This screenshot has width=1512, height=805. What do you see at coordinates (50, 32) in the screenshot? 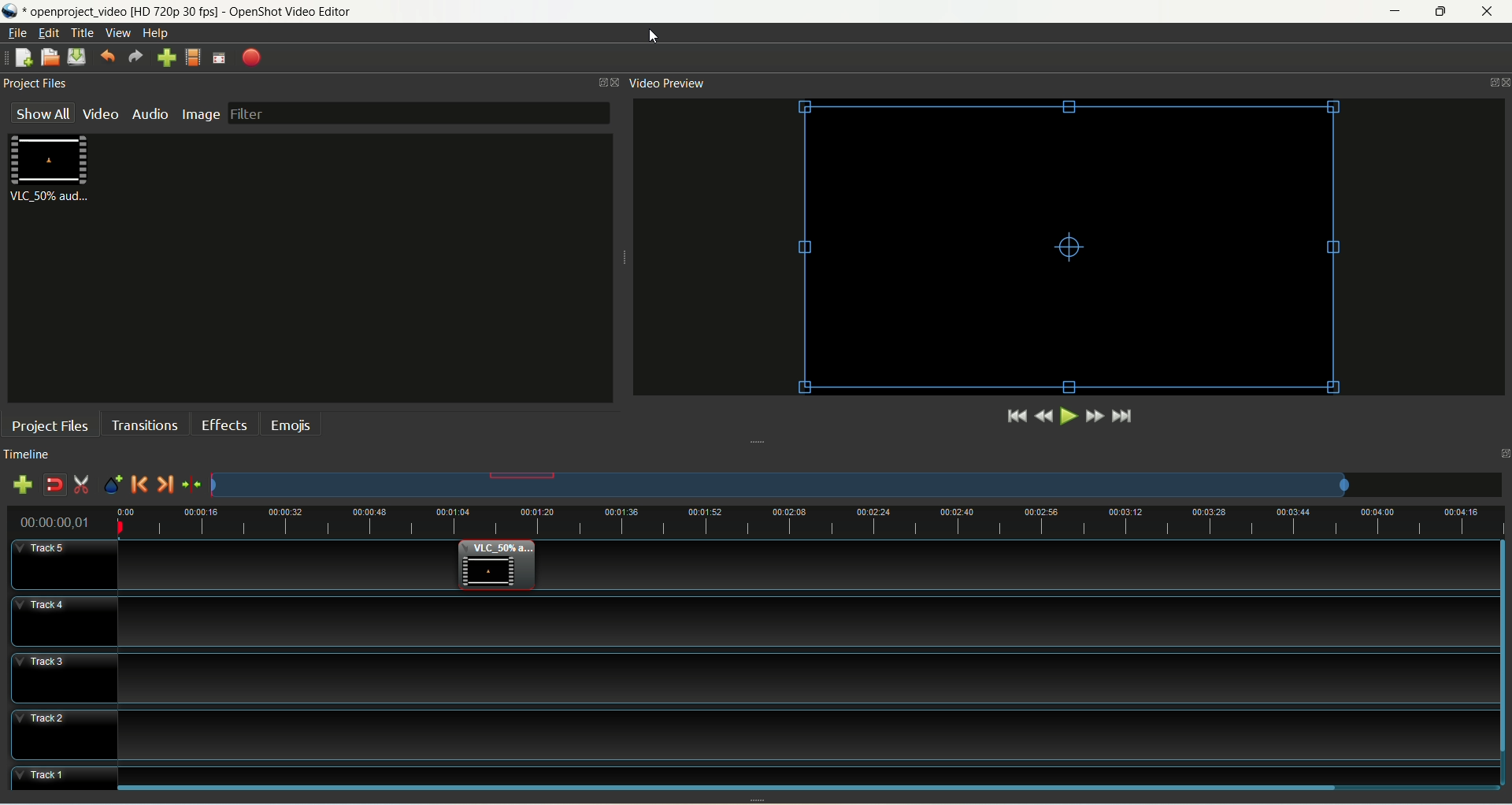
I see `edit` at bounding box center [50, 32].